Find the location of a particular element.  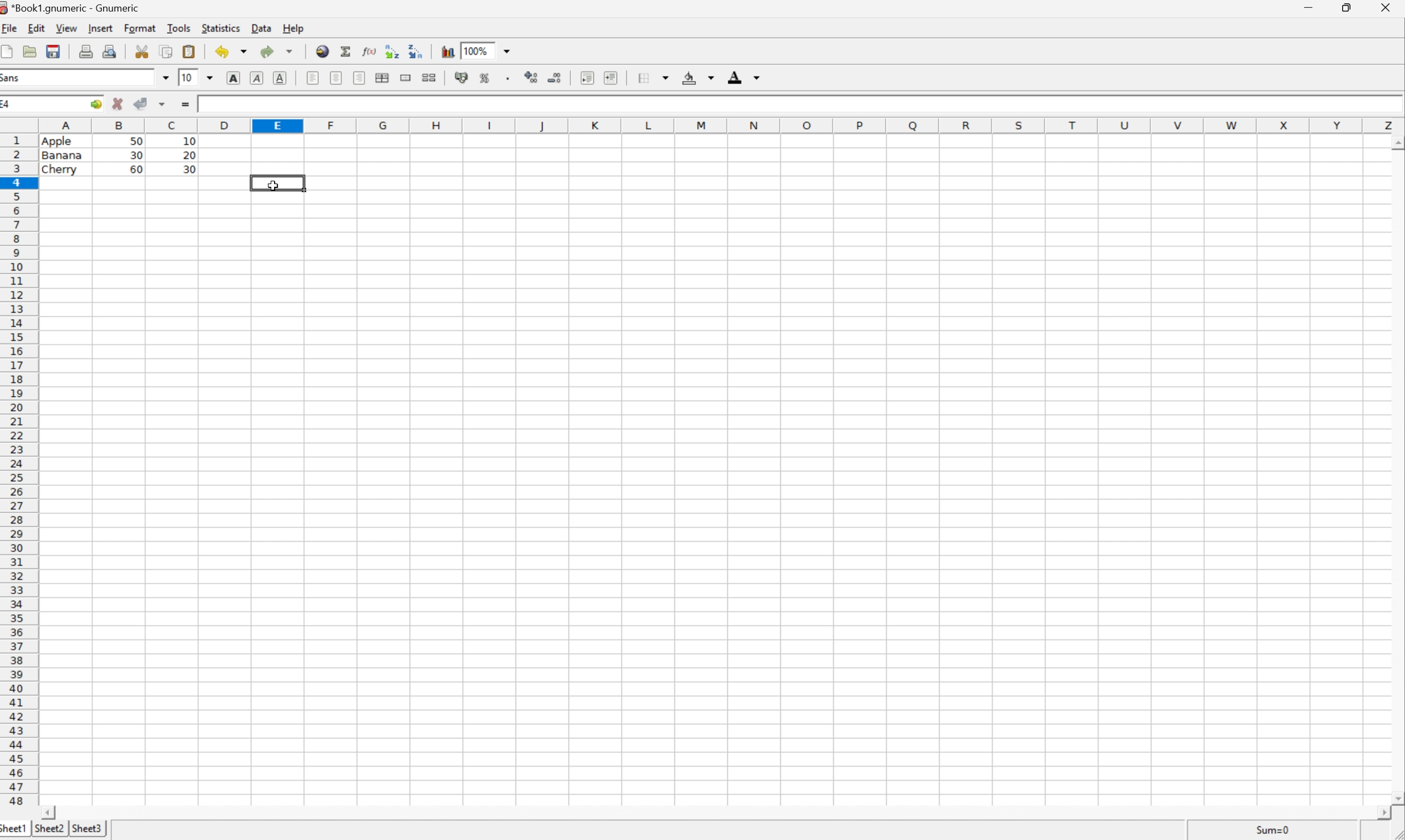

drop down is located at coordinates (208, 79).